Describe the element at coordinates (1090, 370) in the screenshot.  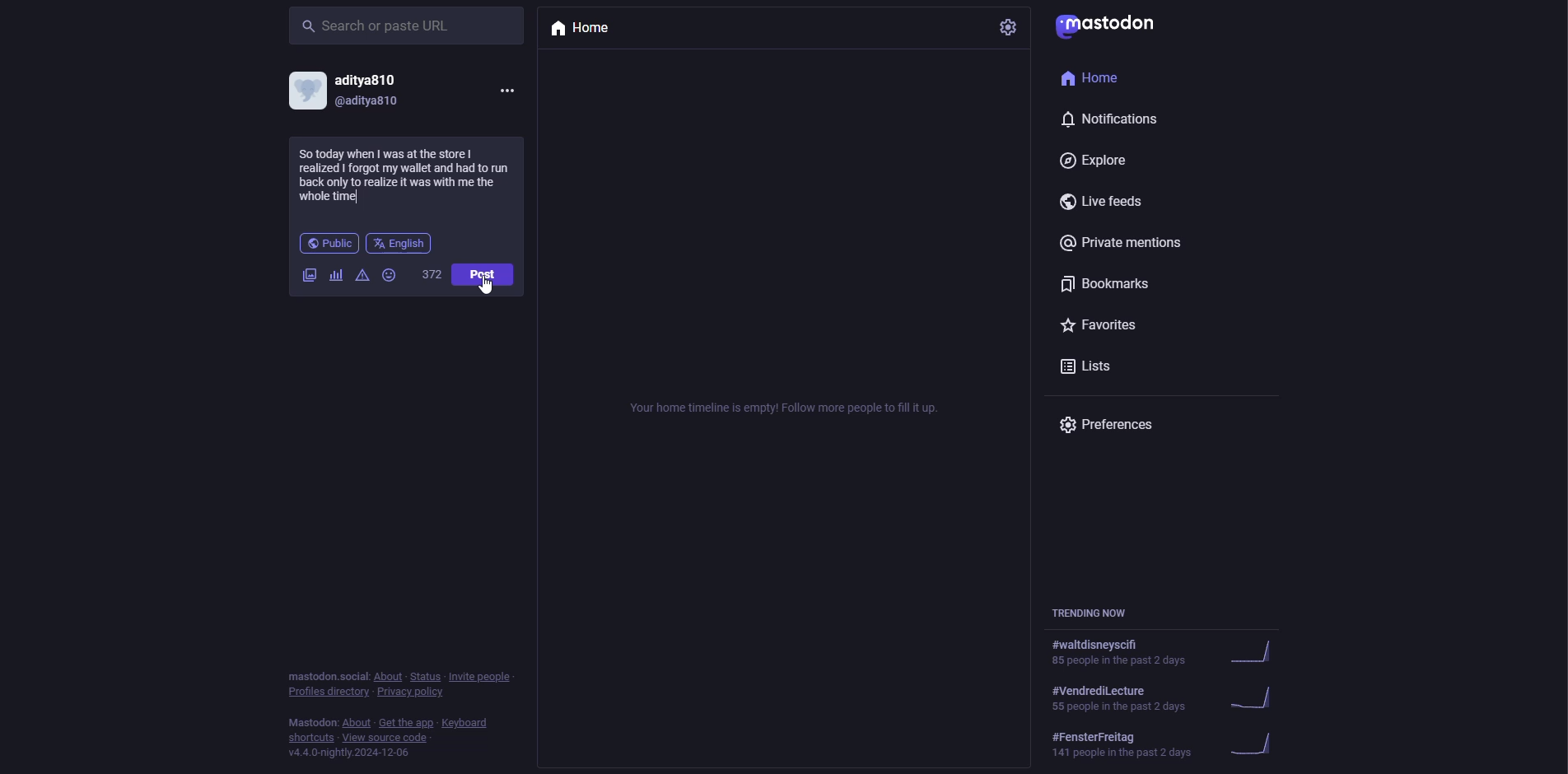
I see `lists` at that location.